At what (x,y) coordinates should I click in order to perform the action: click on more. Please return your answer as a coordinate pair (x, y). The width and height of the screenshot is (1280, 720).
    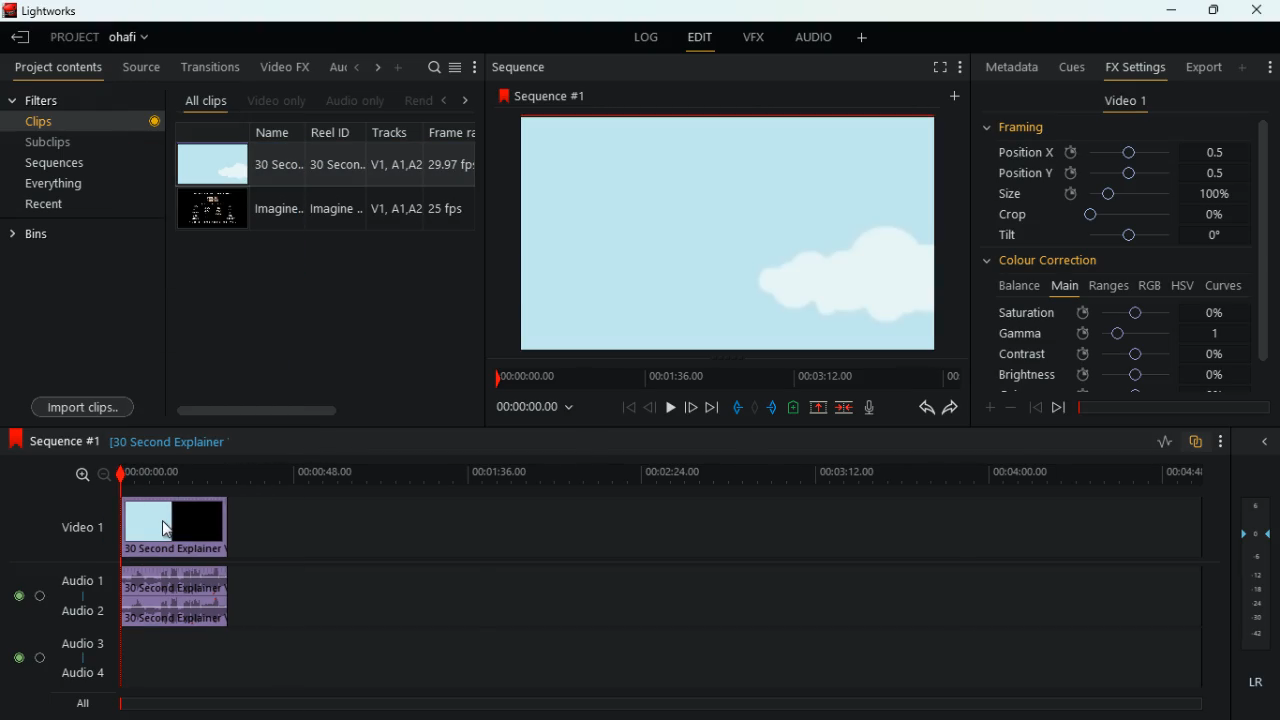
    Looking at the image, I should click on (1244, 67).